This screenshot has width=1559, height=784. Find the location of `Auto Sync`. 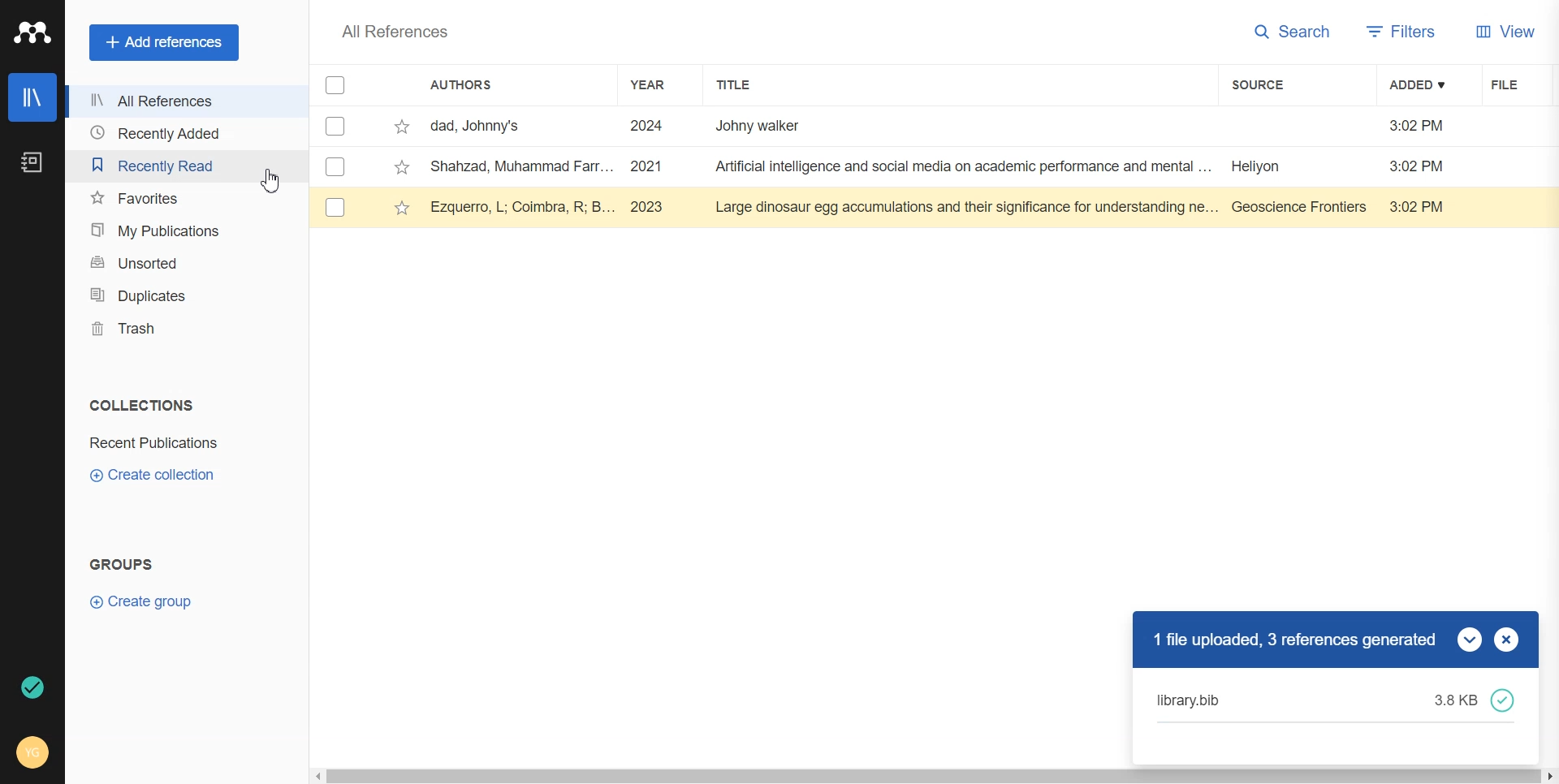

Auto Sync is located at coordinates (30, 687).